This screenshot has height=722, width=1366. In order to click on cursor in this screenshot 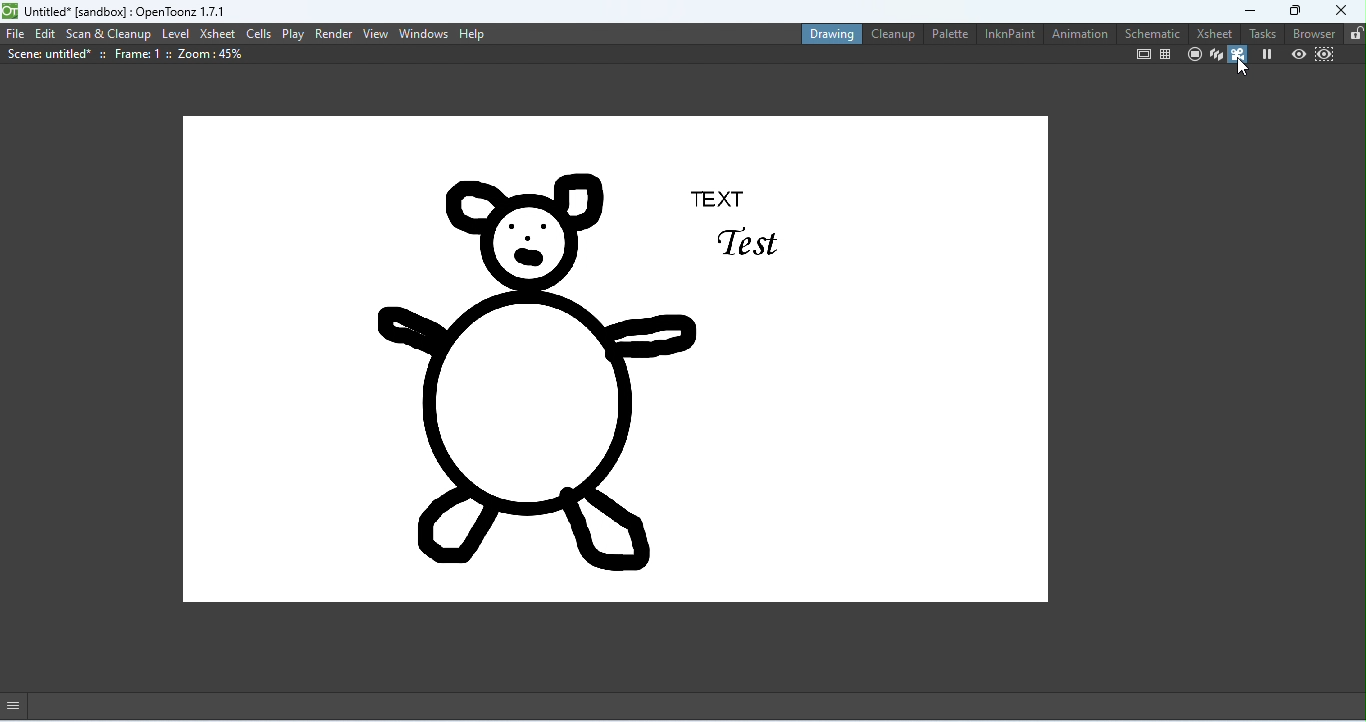, I will do `click(1243, 67)`.